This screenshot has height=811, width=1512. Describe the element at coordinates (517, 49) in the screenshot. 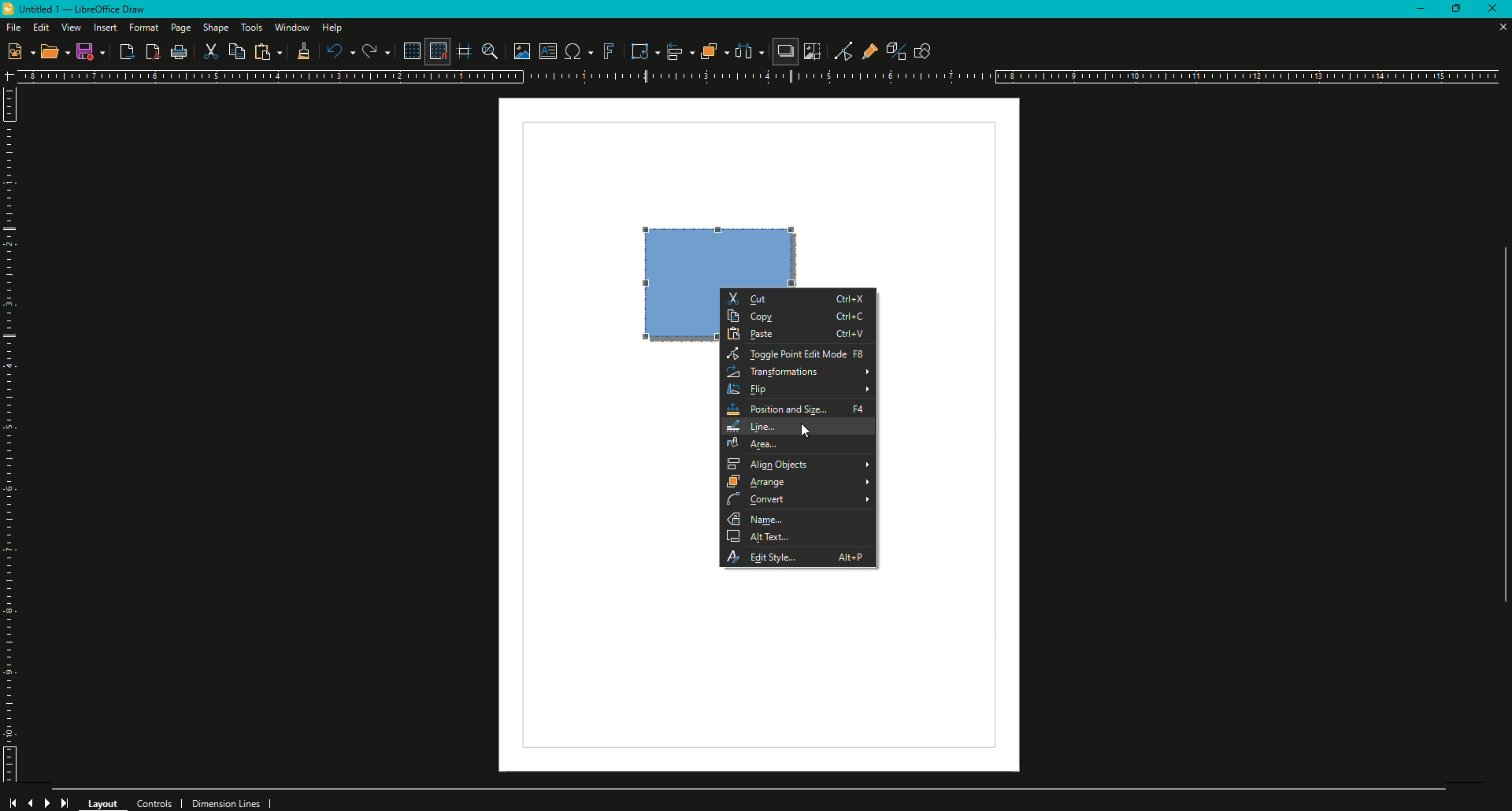

I see `Insert Image` at that location.